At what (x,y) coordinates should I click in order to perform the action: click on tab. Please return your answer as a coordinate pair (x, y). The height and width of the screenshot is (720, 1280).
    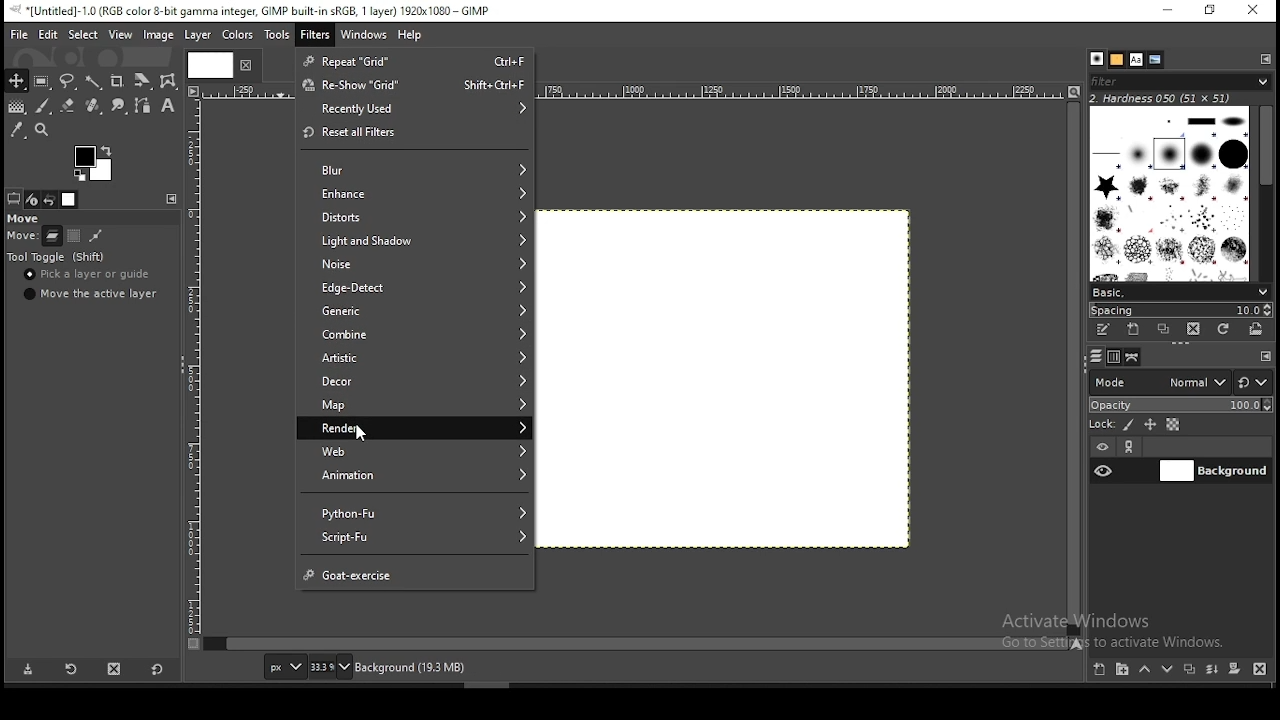
    Looking at the image, I should click on (208, 64).